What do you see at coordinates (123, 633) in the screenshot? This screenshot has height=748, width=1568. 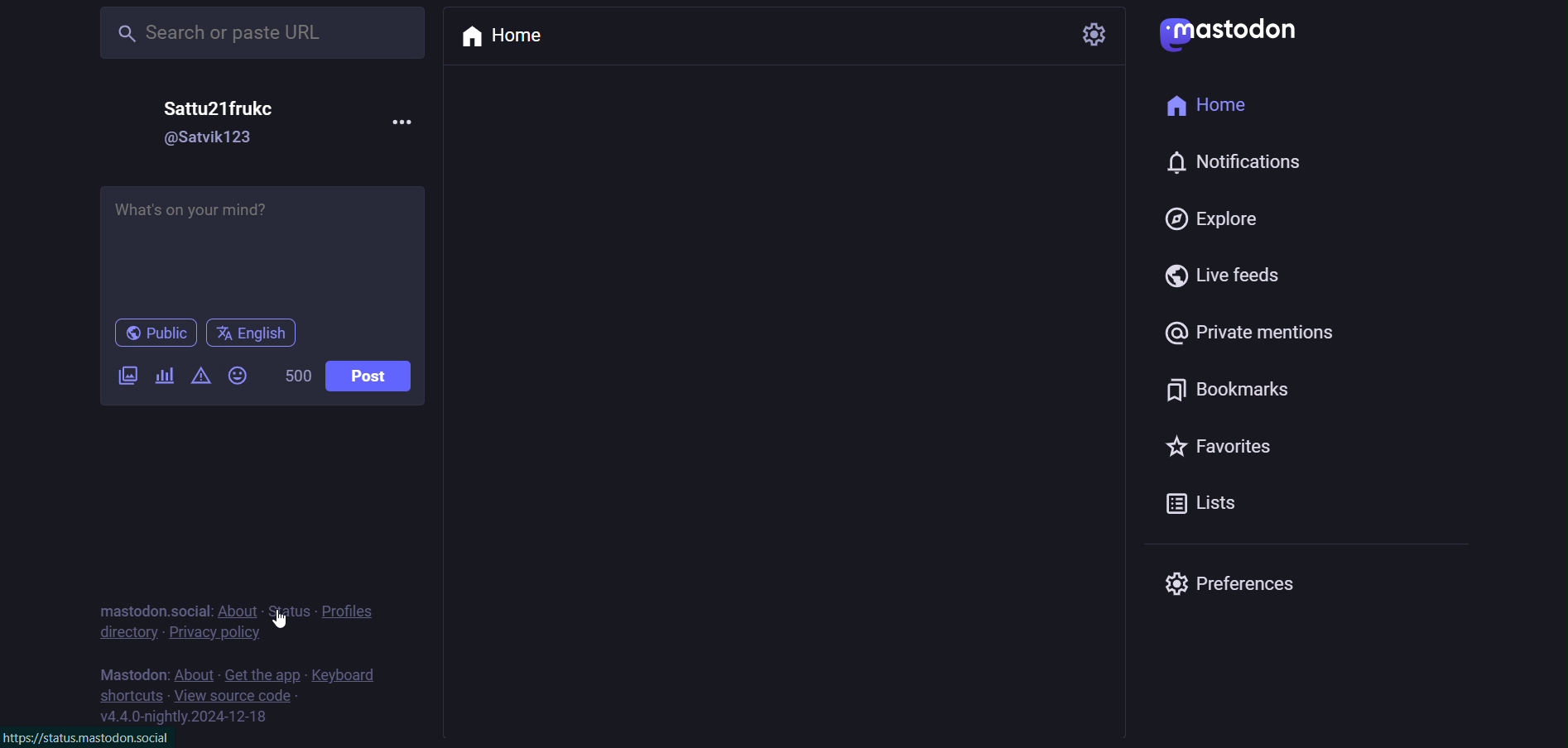 I see `directory` at bounding box center [123, 633].